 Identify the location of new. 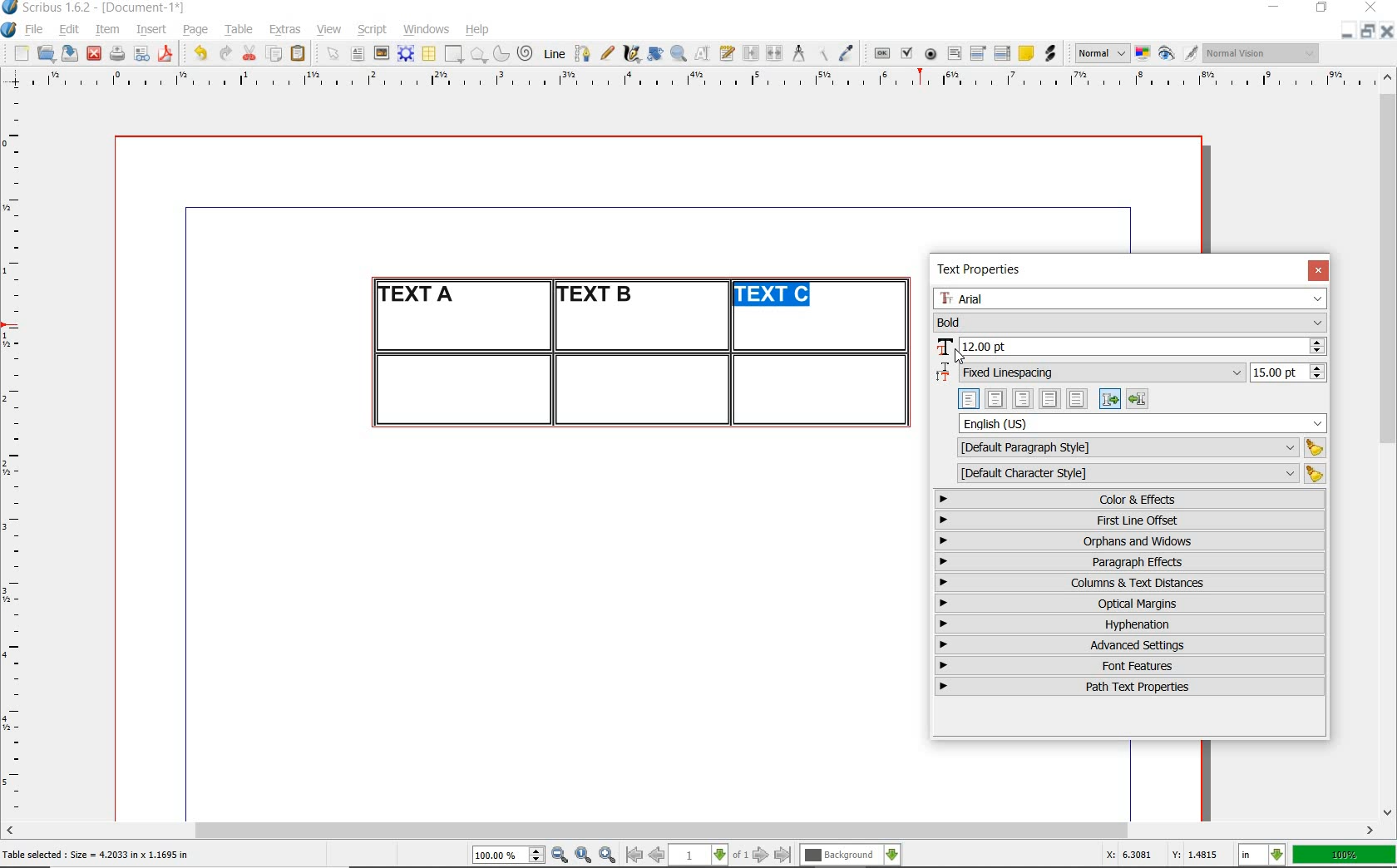
(19, 53).